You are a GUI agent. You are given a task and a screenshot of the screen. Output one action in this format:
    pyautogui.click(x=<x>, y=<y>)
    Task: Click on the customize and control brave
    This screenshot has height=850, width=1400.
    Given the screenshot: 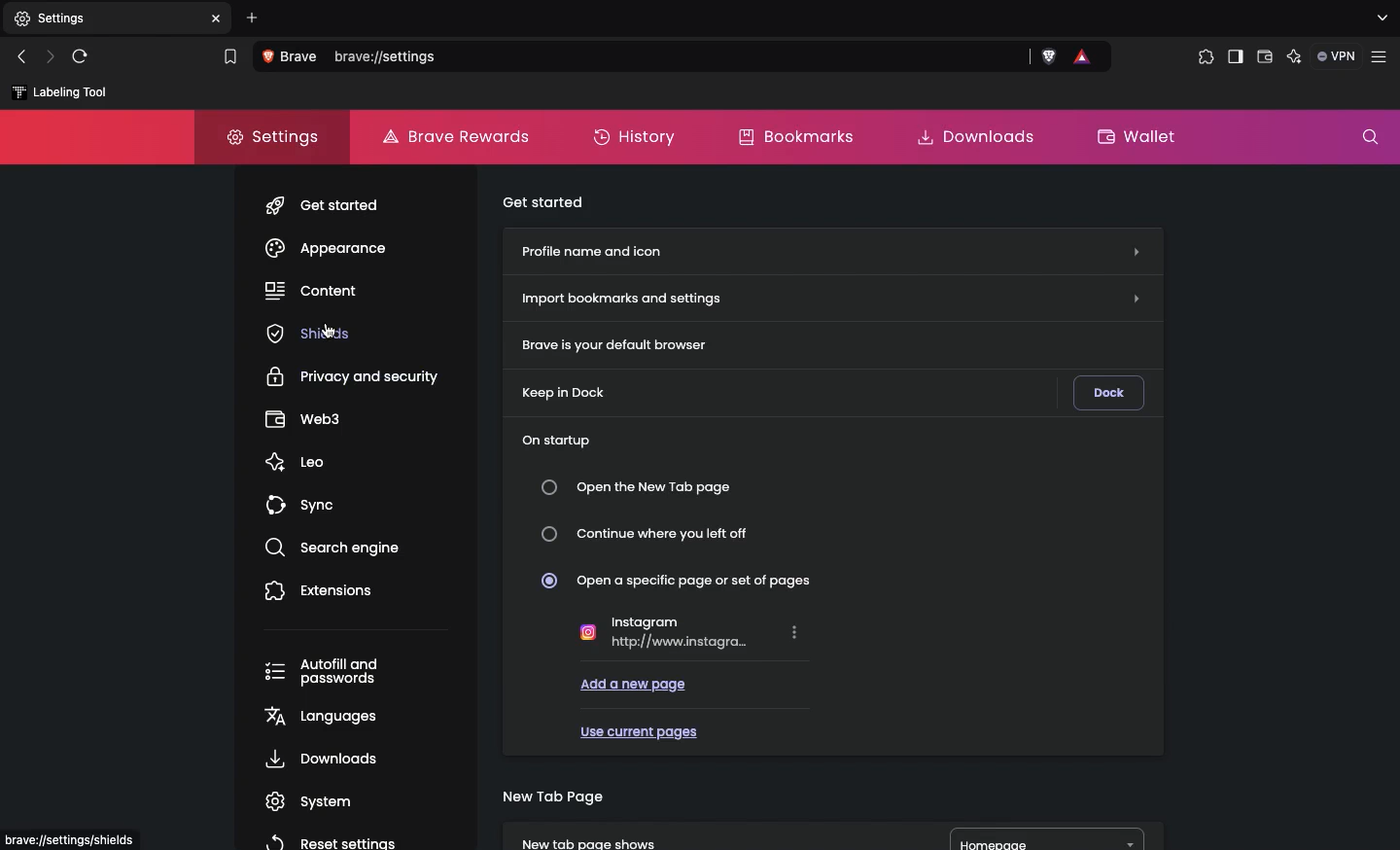 What is the action you would take?
    pyautogui.click(x=1382, y=55)
    